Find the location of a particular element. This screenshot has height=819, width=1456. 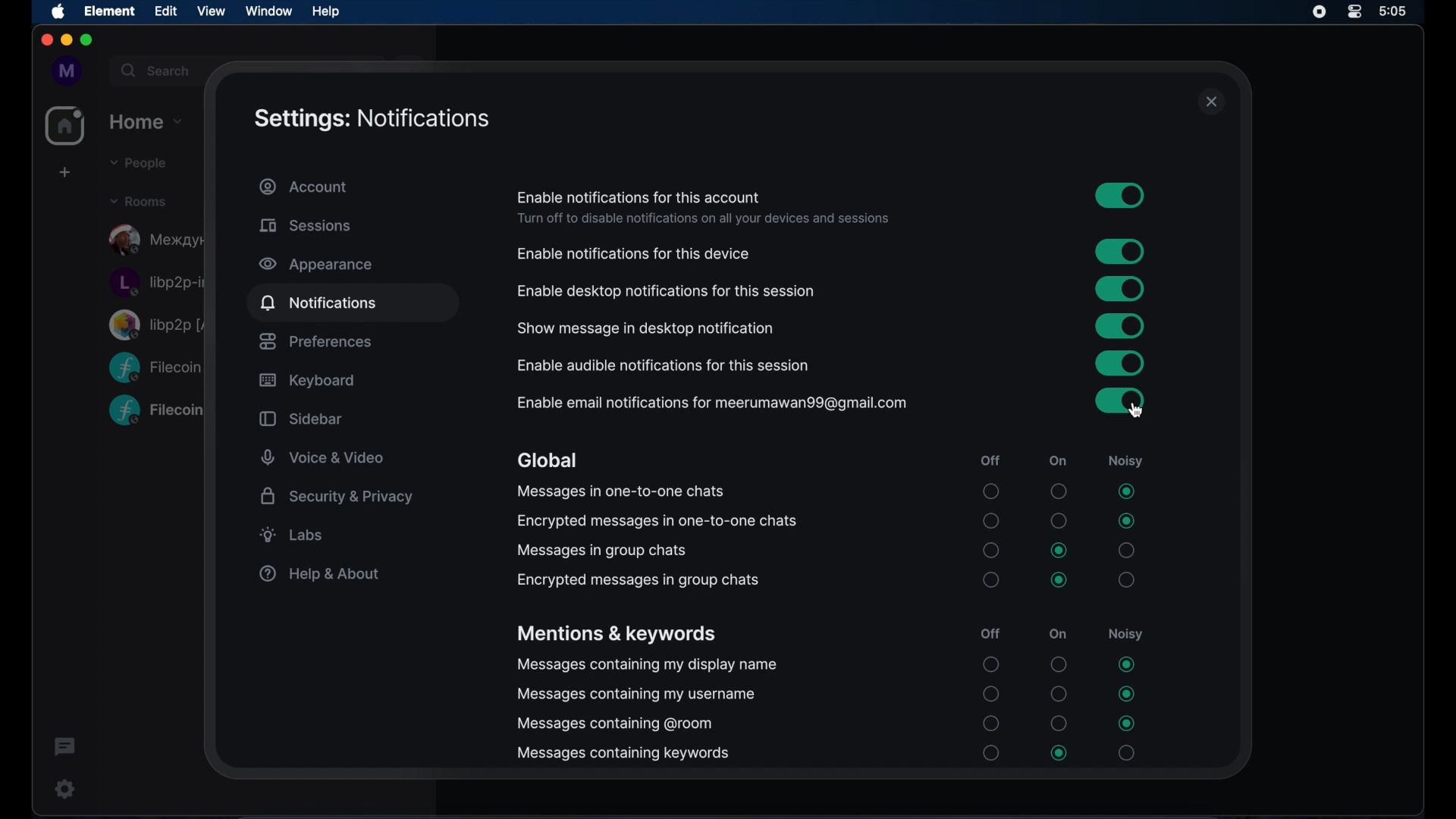

radio button is located at coordinates (1060, 753).